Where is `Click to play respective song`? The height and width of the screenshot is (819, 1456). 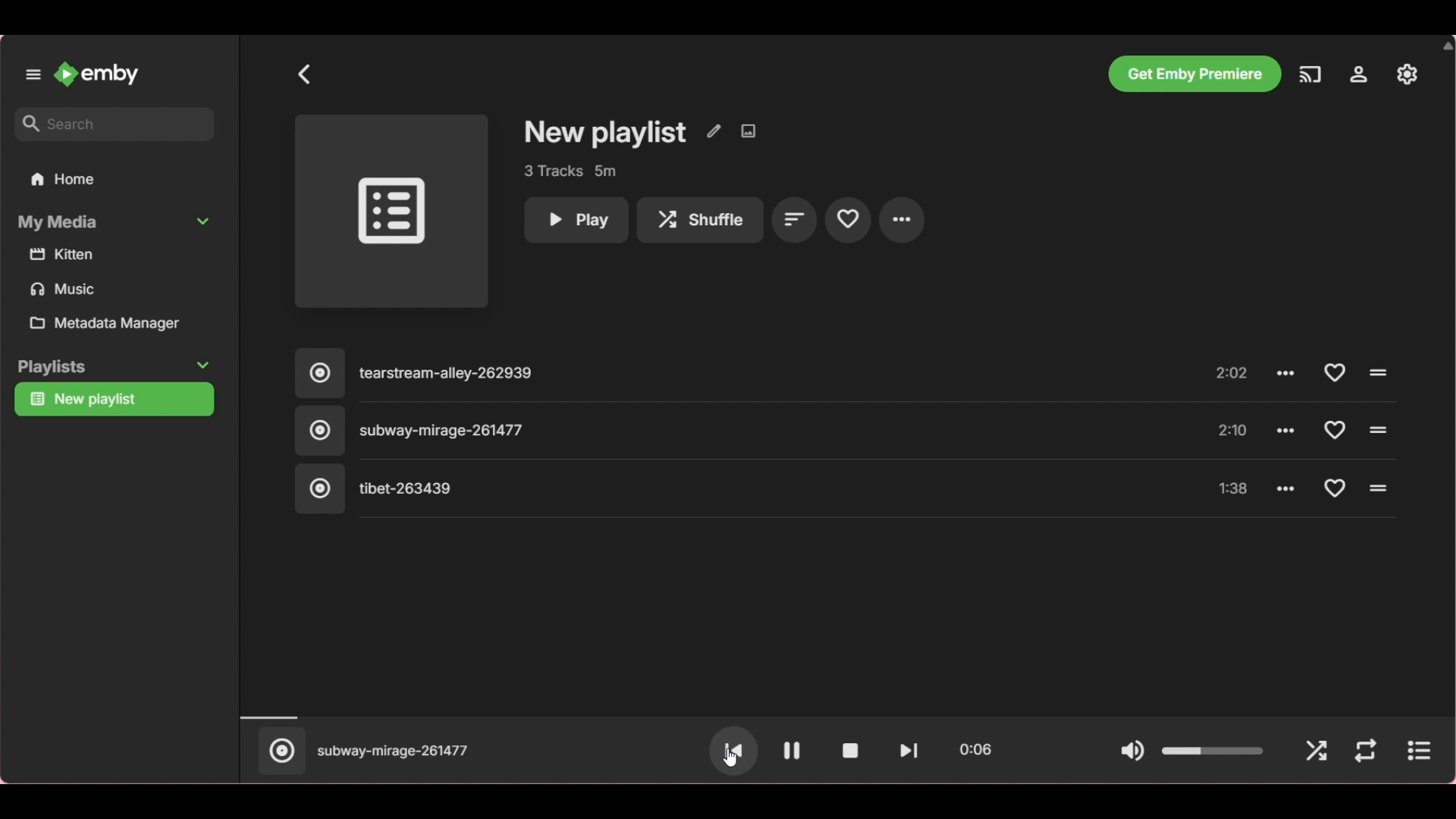
Click to play respective song is located at coordinates (1378, 429).